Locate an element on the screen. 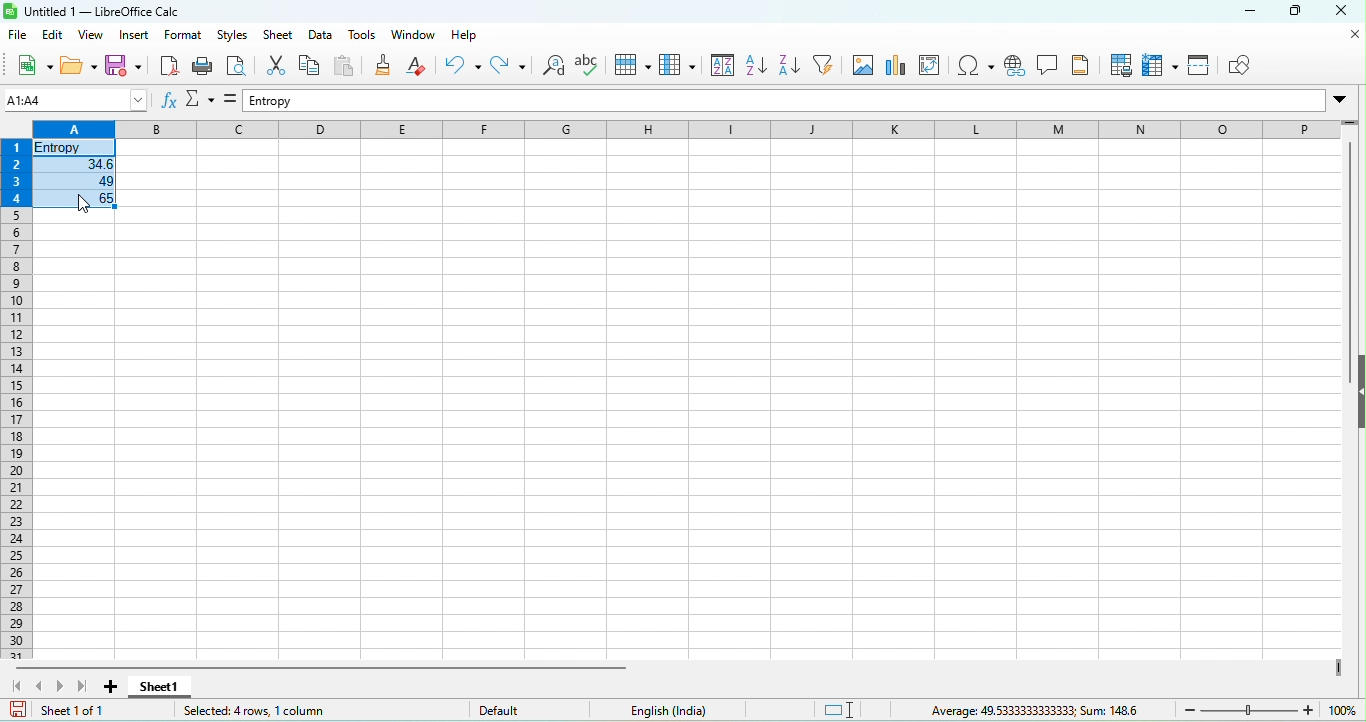 The image size is (1366, 722). find and replace is located at coordinates (551, 67).